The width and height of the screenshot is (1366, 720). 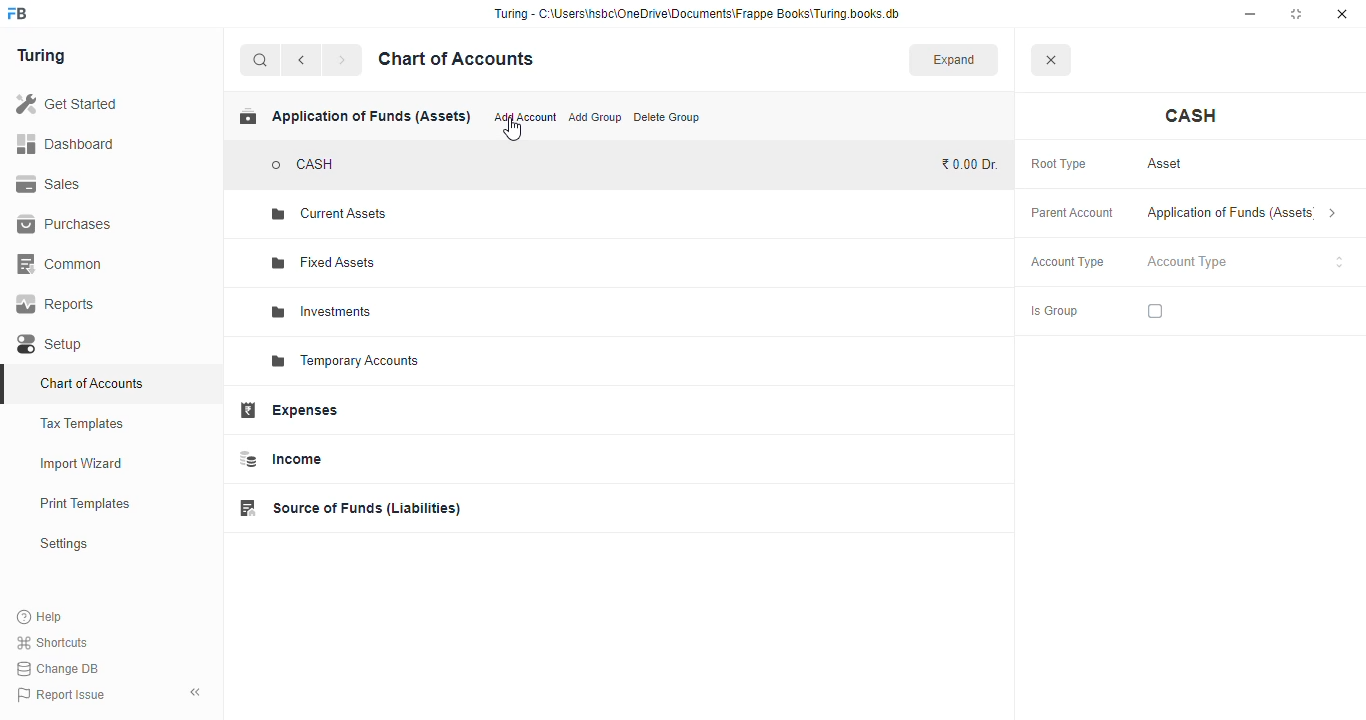 What do you see at coordinates (18, 13) in the screenshot?
I see `logo` at bounding box center [18, 13].